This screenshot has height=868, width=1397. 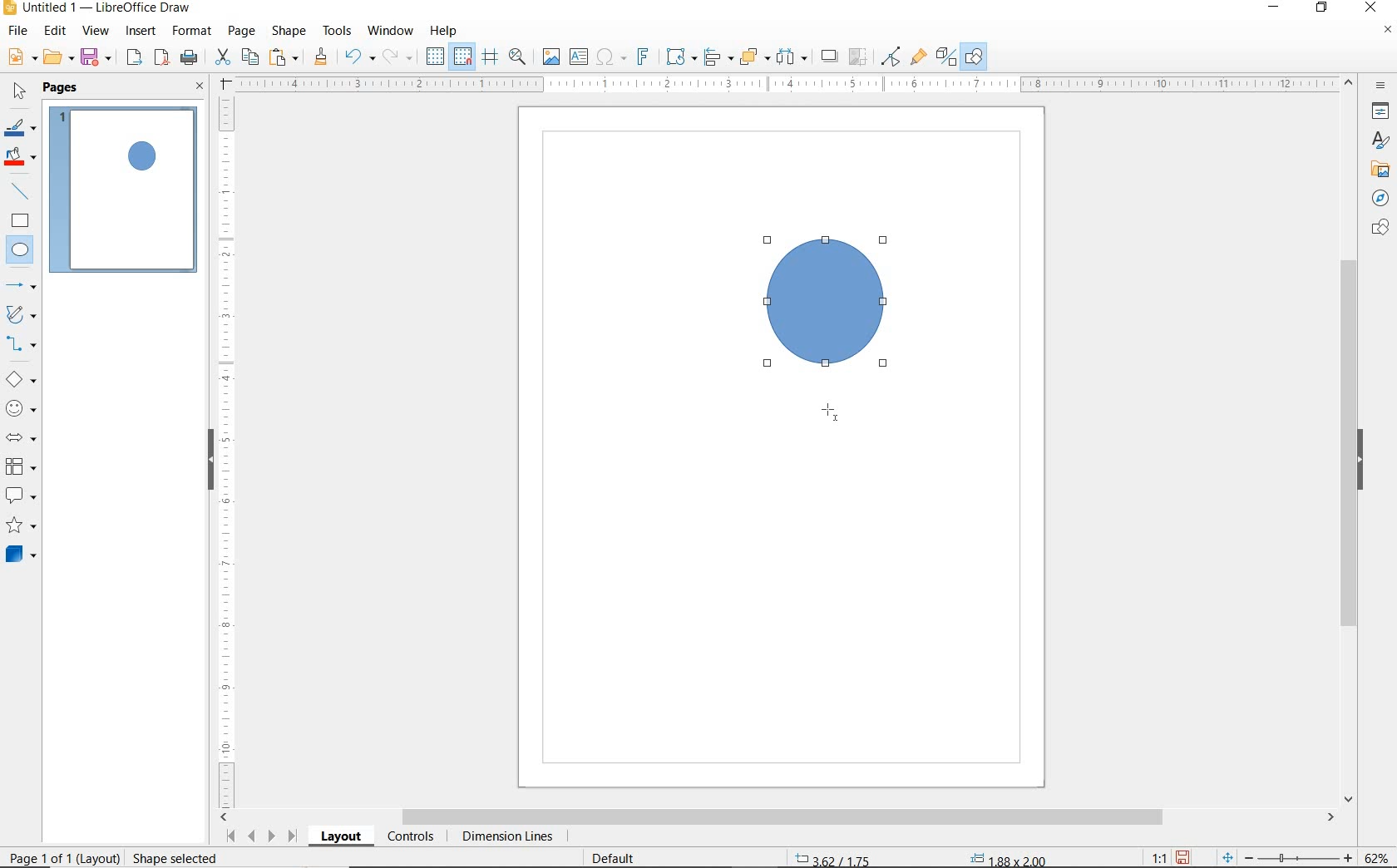 I want to click on DIMENSION LINES, so click(x=505, y=838).